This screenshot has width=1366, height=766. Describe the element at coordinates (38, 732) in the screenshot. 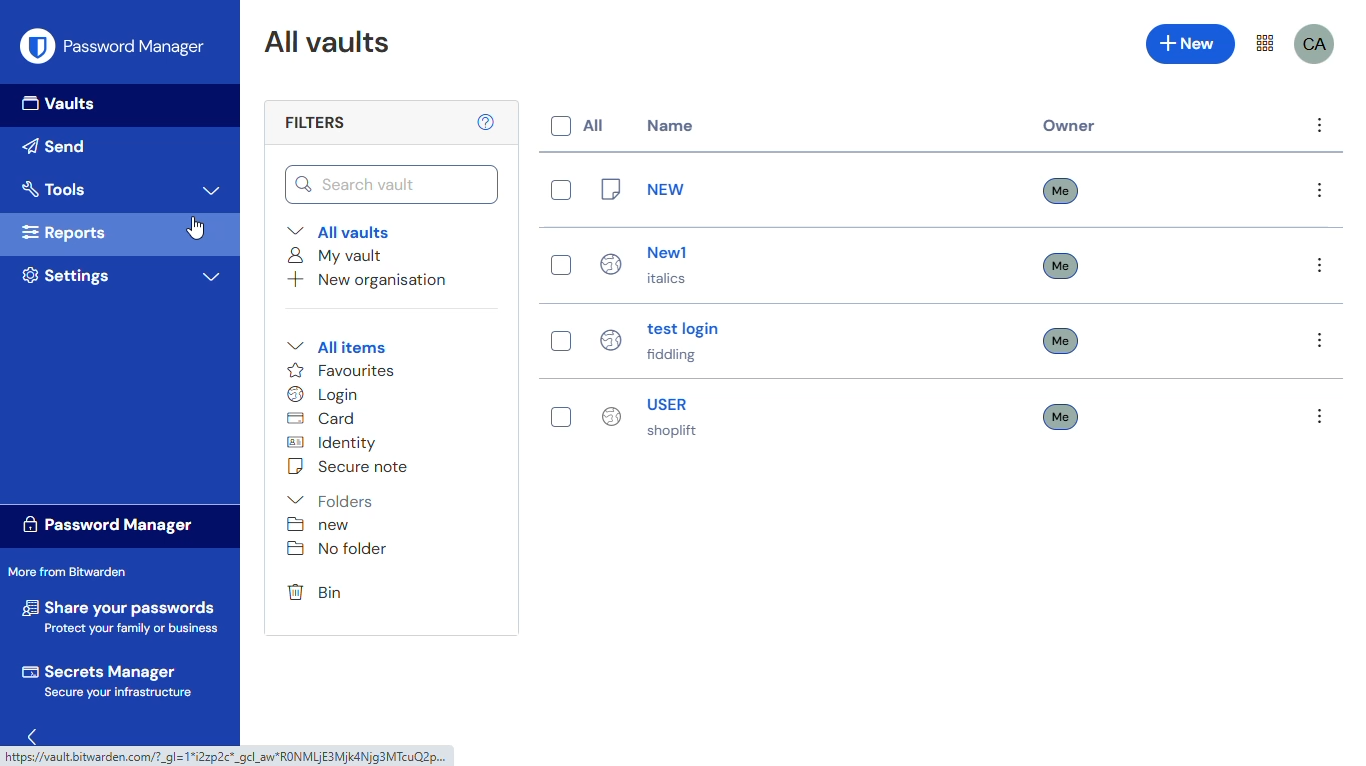

I see `hide` at that location.